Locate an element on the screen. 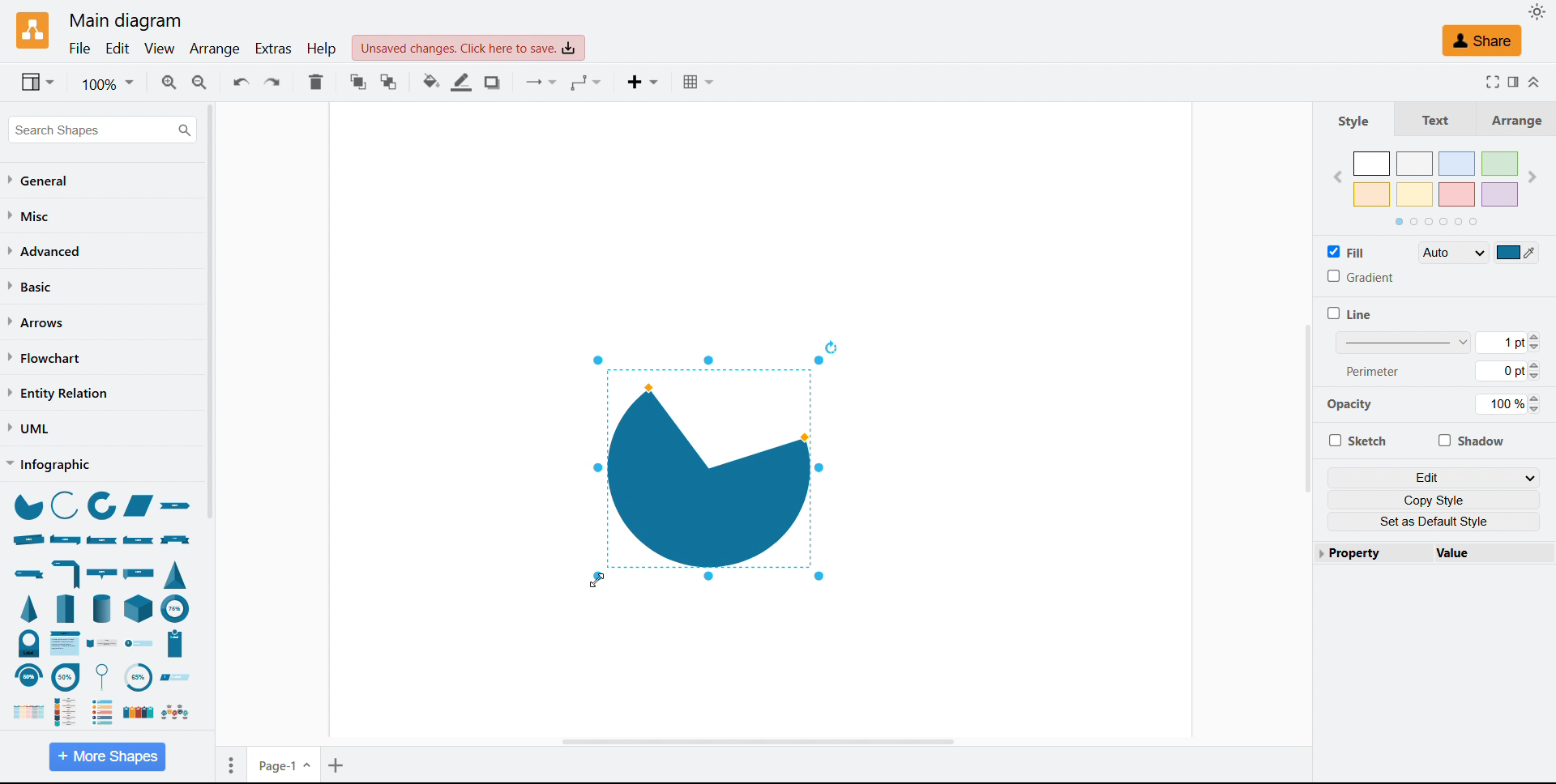 Image resolution: width=1556 pixels, height=784 pixels. flag is located at coordinates (141, 572).